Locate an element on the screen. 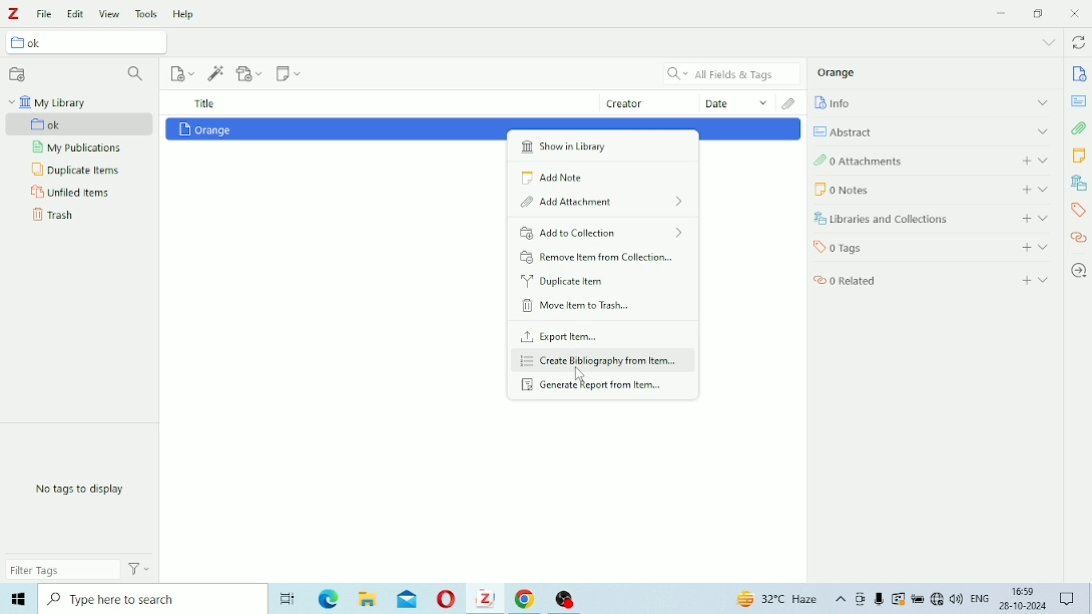 Image resolution: width=1092 pixels, height=614 pixels. Move Item to Trash is located at coordinates (577, 306).